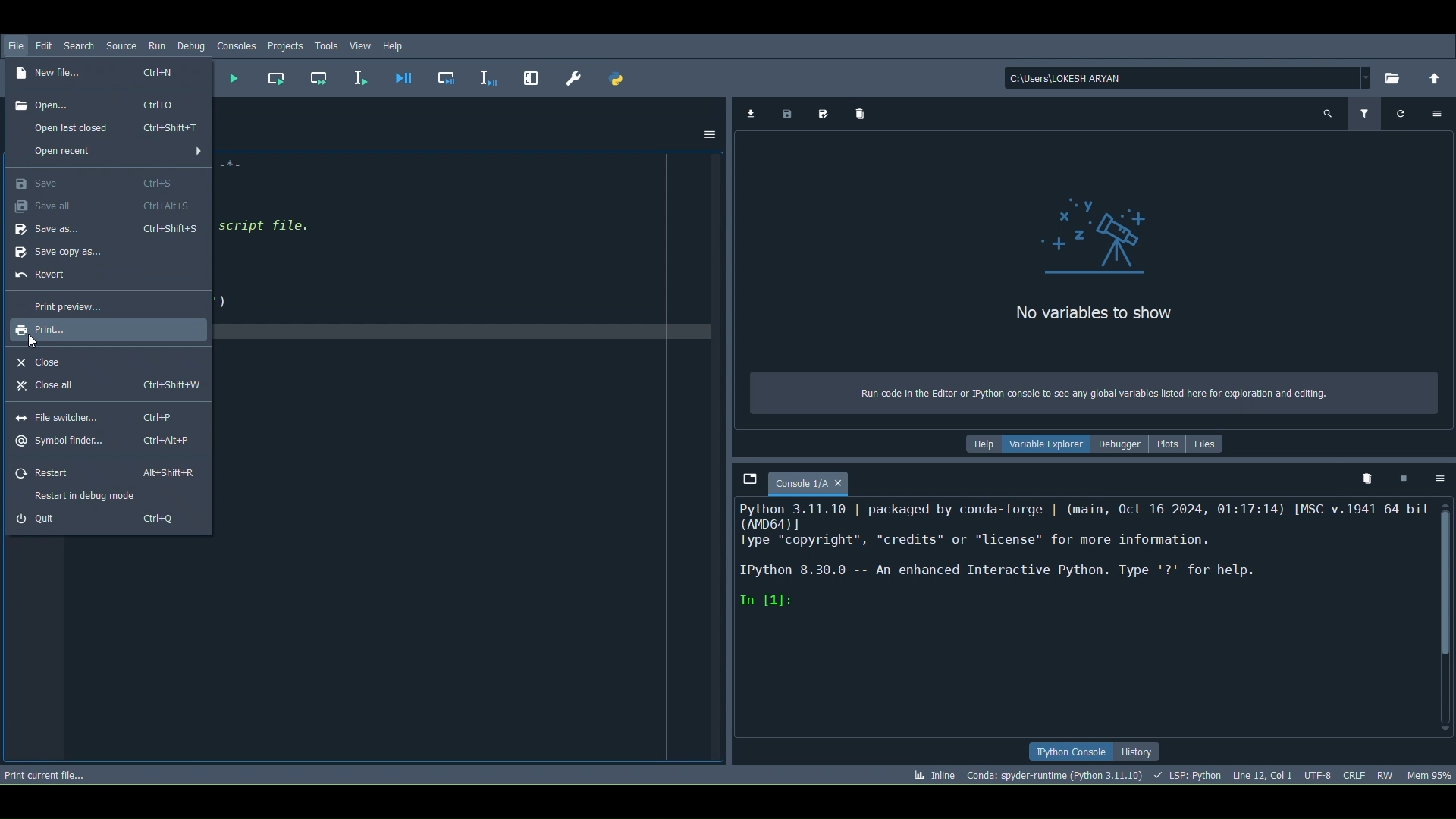  What do you see at coordinates (1169, 449) in the screenshot?
I see `Plots` at bounding box center [1169, 449].